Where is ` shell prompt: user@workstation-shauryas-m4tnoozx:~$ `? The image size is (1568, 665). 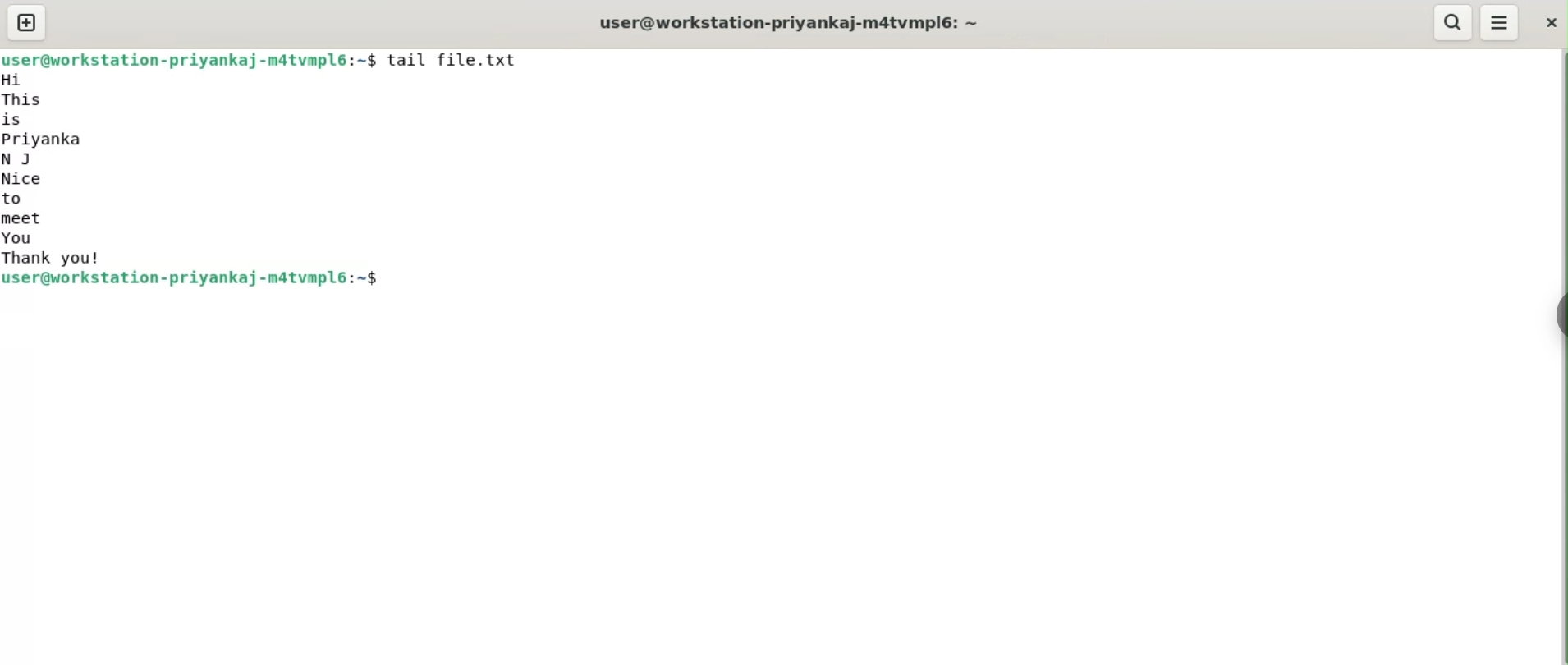  shell prompt: user@workstation-shauryas-m4tnoozx:~$  is located at coordinates (192, 59).